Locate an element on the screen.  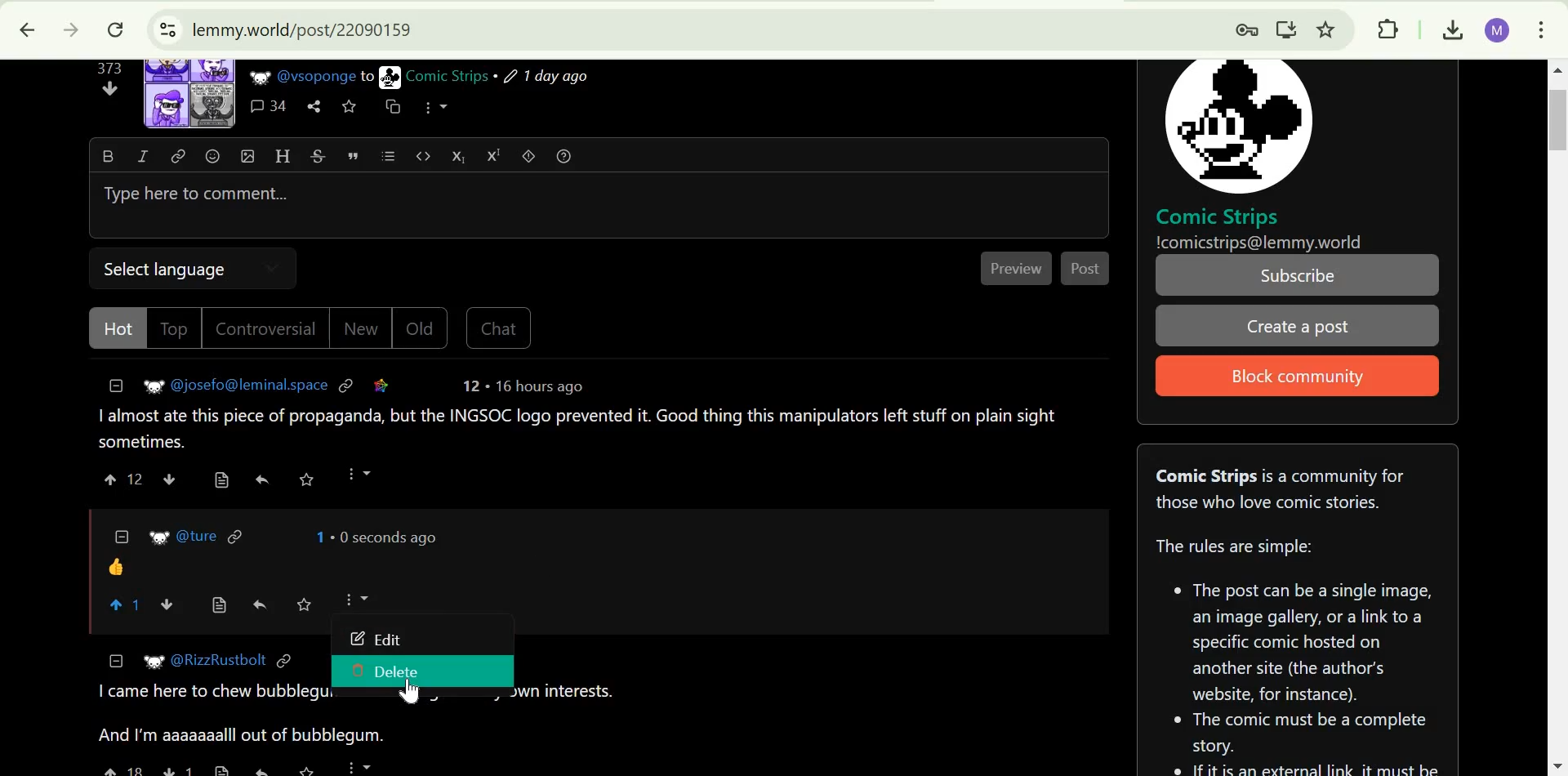
Top is located at coordinates (176, 328).